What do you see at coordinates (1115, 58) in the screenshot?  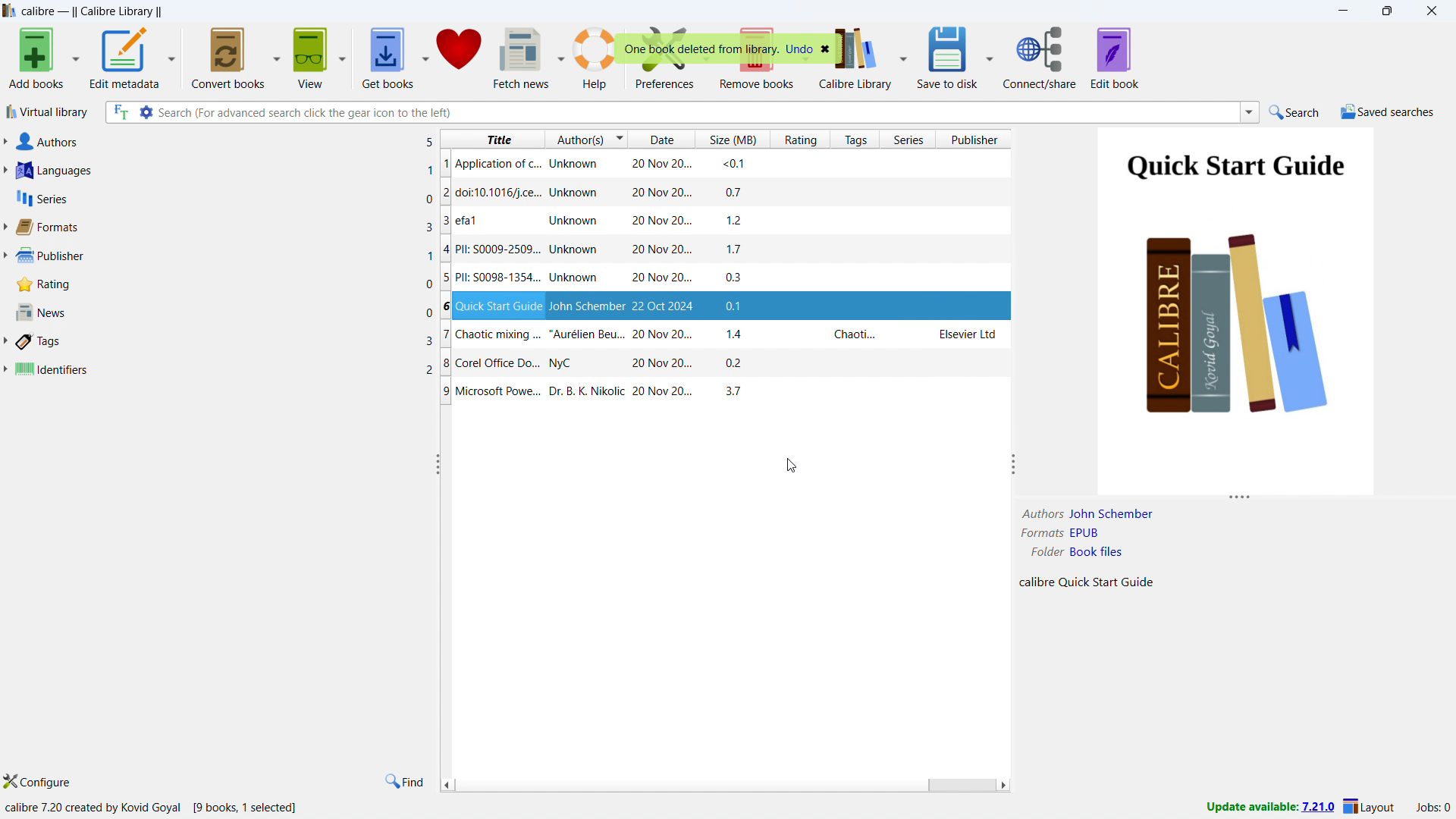 I see `edit book` at bounding box center [1115, 58].